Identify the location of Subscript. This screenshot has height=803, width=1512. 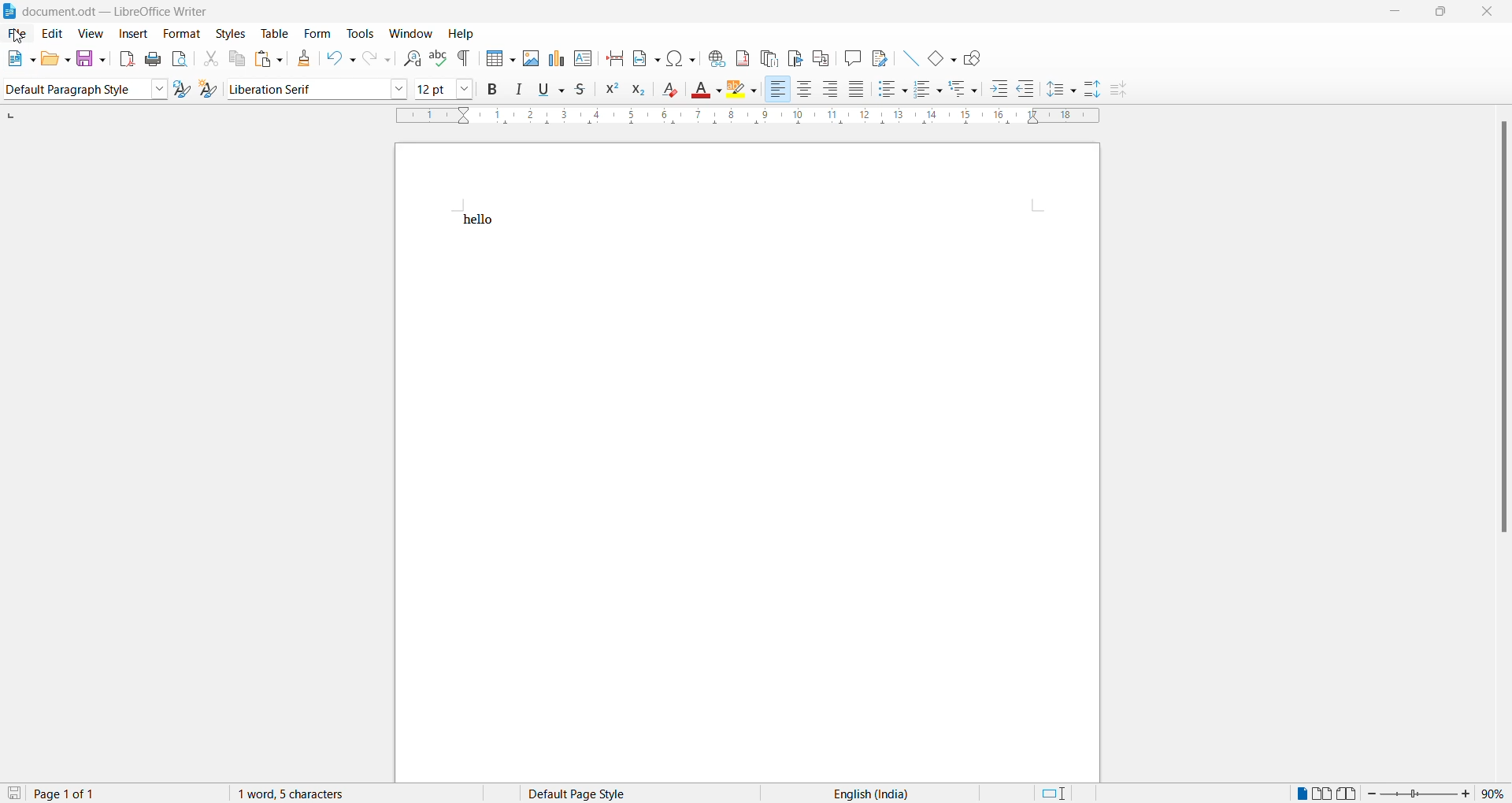
(636, 92).